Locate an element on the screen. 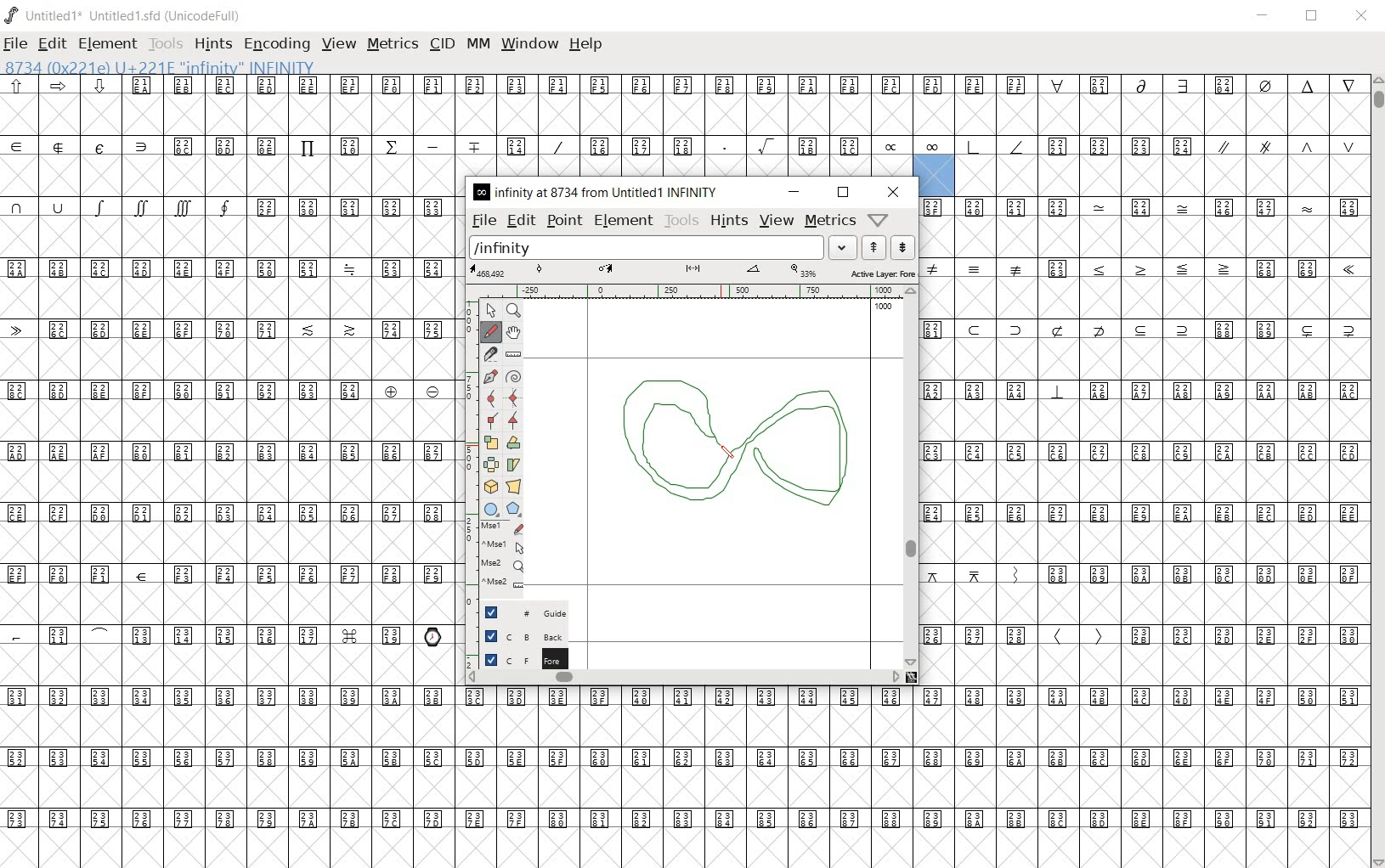 This screenshot has height=868, width=1385. empty glyph slots is located at coordinates (1146, 420).